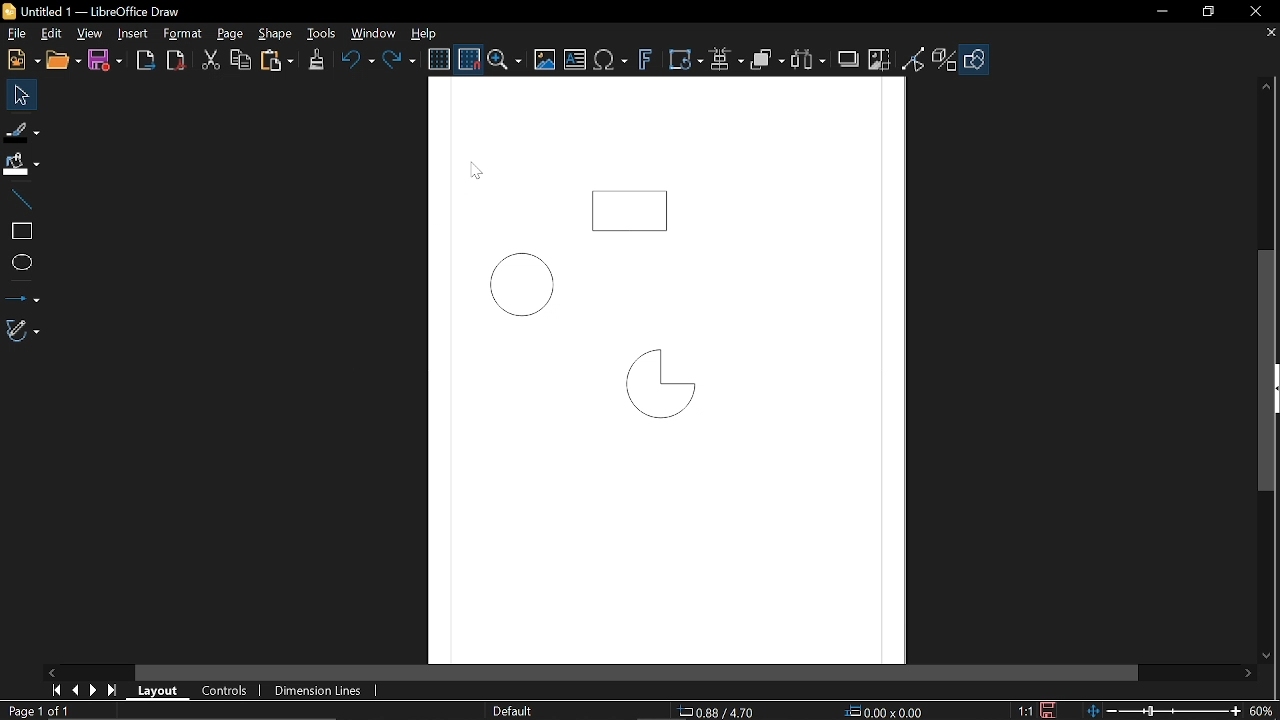 The height and width of the screenshot is (720, 1280). Describe the element at coordinates (226, 35) in the screenshot. I see `Page` at that location.